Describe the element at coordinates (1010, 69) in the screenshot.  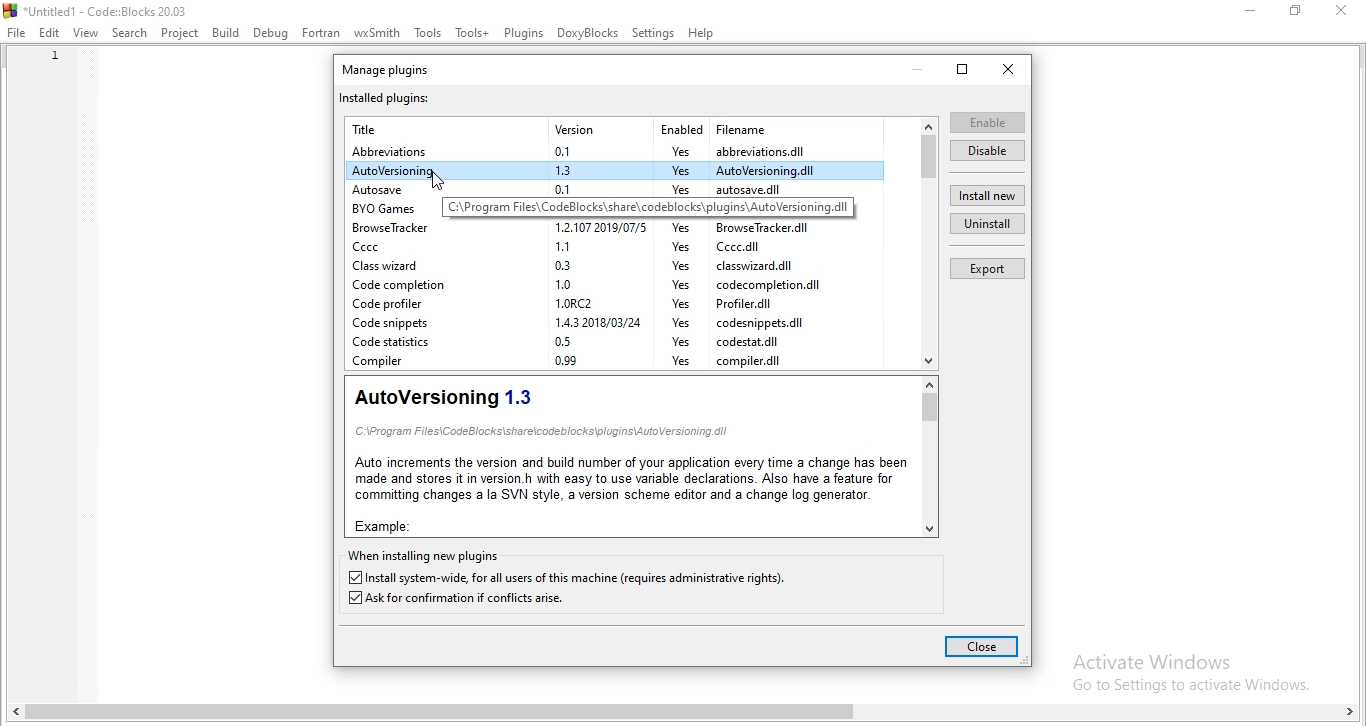
I see `close` at that location.